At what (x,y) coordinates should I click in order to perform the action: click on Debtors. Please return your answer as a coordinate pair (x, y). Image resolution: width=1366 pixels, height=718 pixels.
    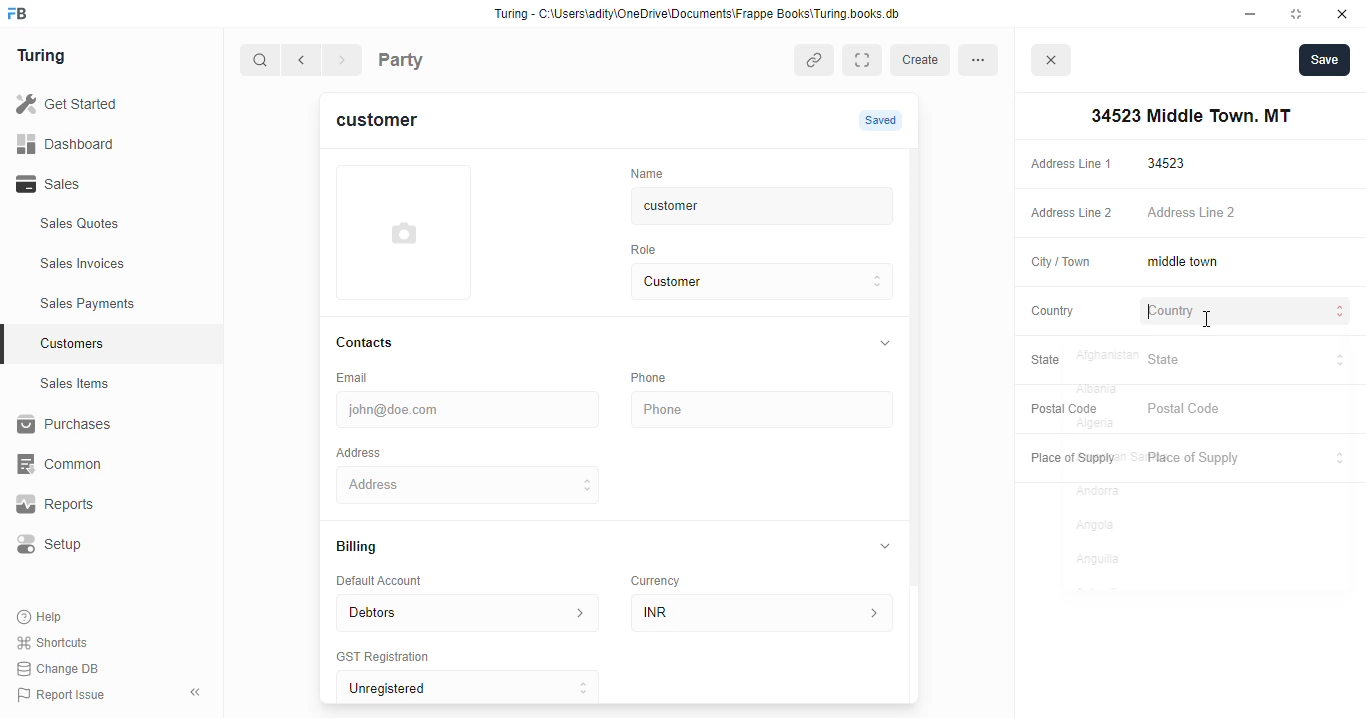
    Looking at the image, I should click on (467, 611).